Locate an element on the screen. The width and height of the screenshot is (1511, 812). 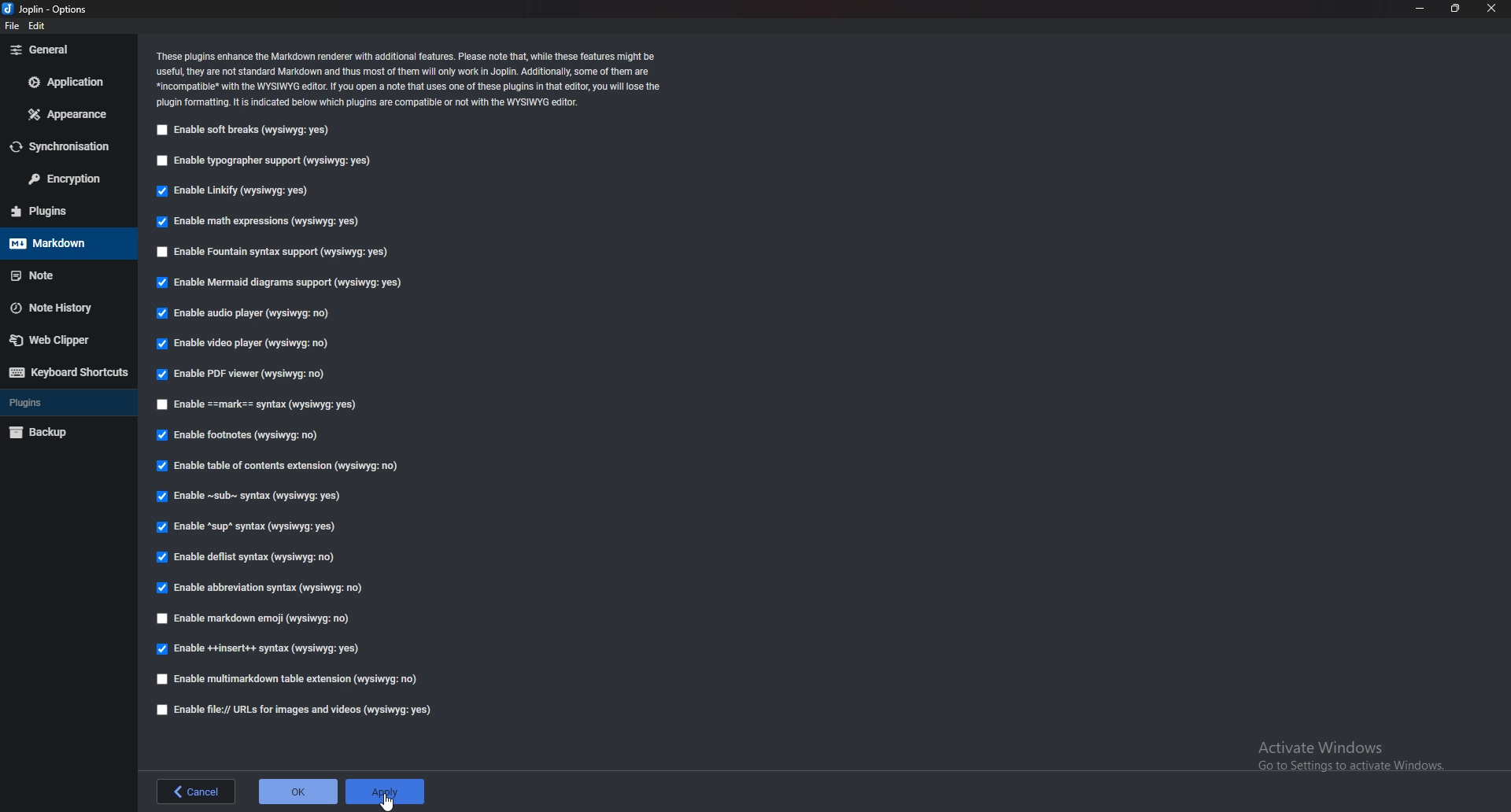
Enable linkify is located at coordinates (236, 190).